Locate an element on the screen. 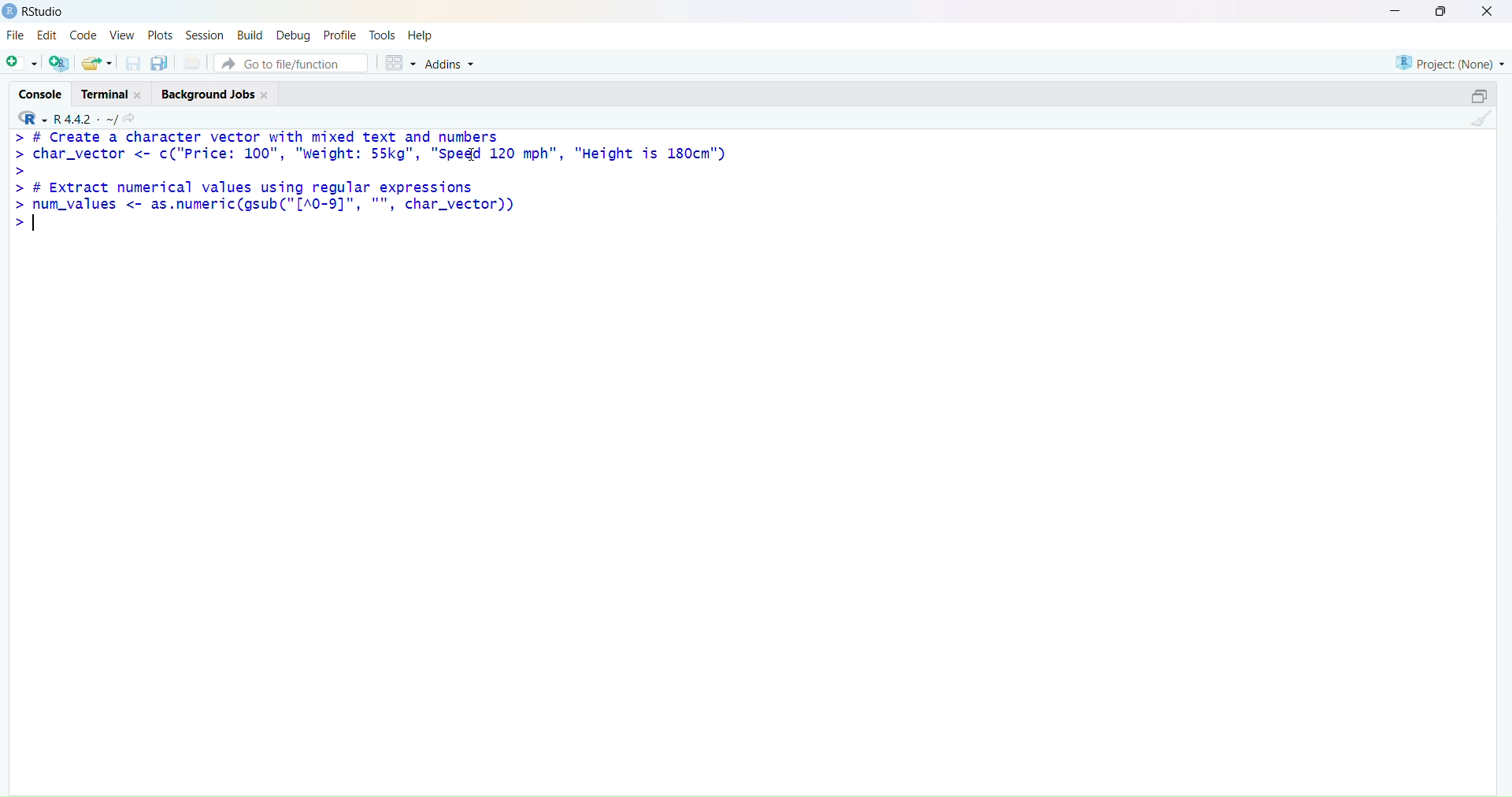  clean is located at coordinates (1482, 117).